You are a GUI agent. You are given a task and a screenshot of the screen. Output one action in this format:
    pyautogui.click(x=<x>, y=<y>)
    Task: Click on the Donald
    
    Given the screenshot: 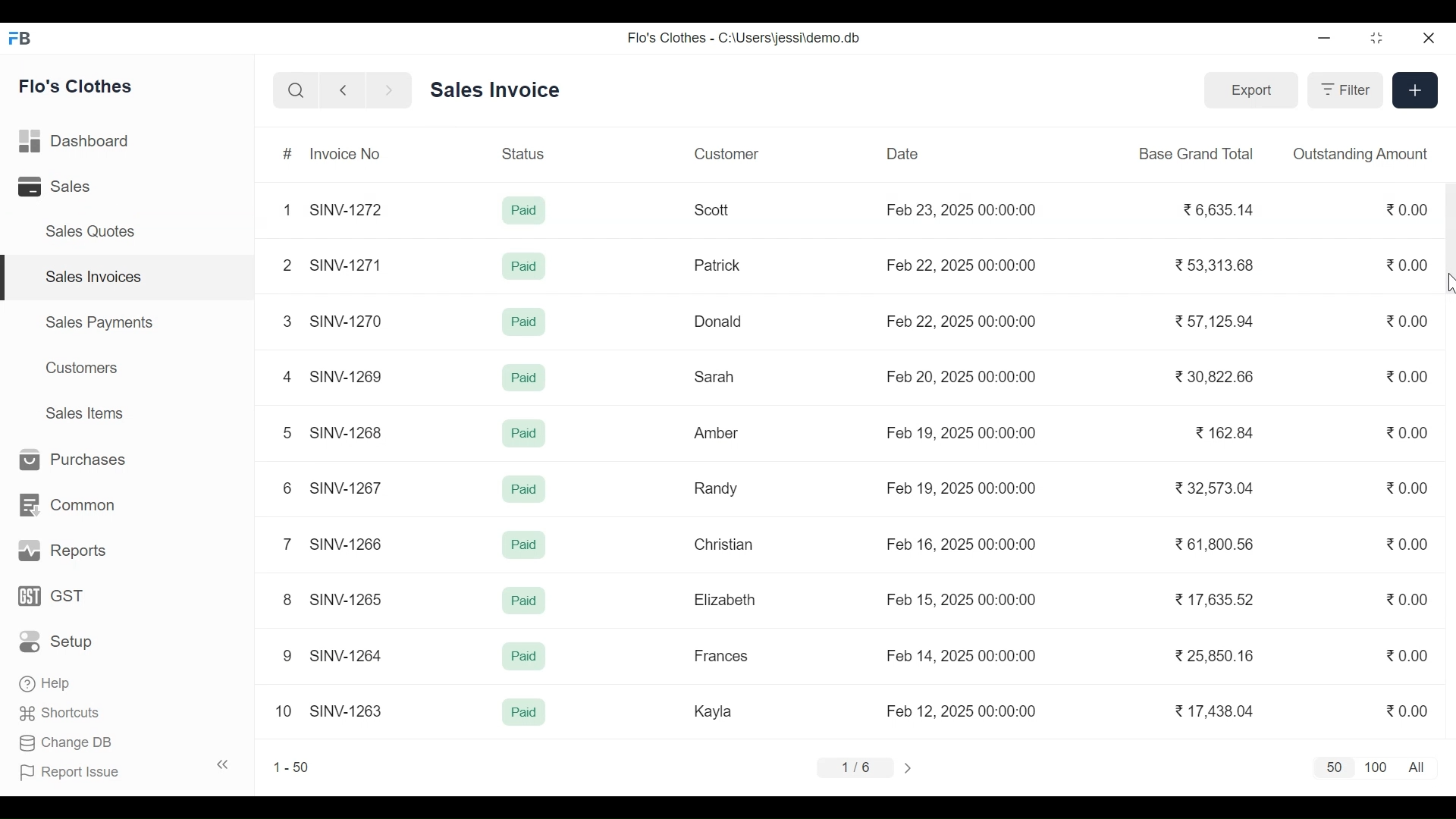 What is the action you would take?
    pyautogui.click(x=720, y=322)
    